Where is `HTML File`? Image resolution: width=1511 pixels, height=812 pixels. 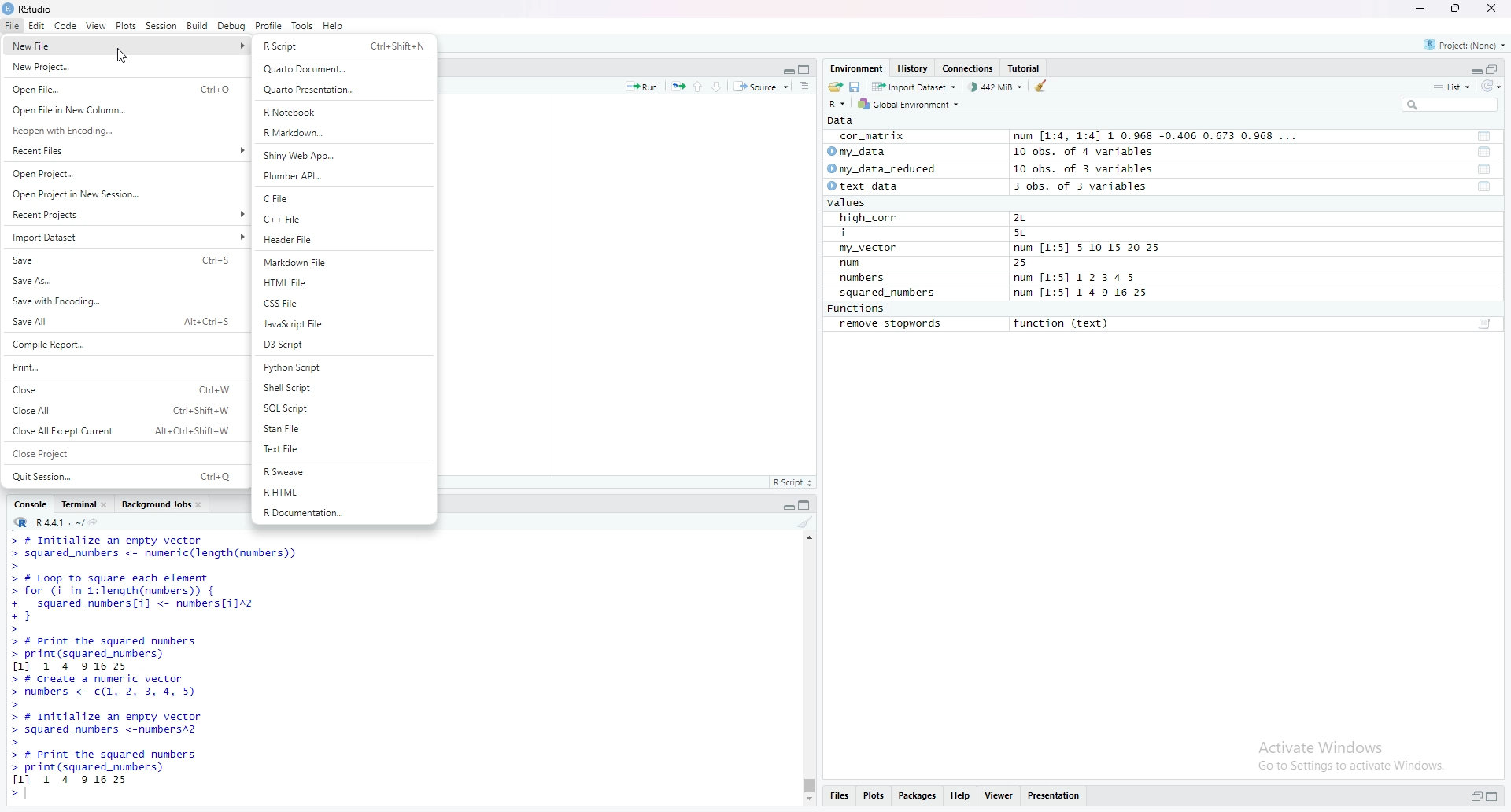 HTML File is located at coordinates (338, 282).